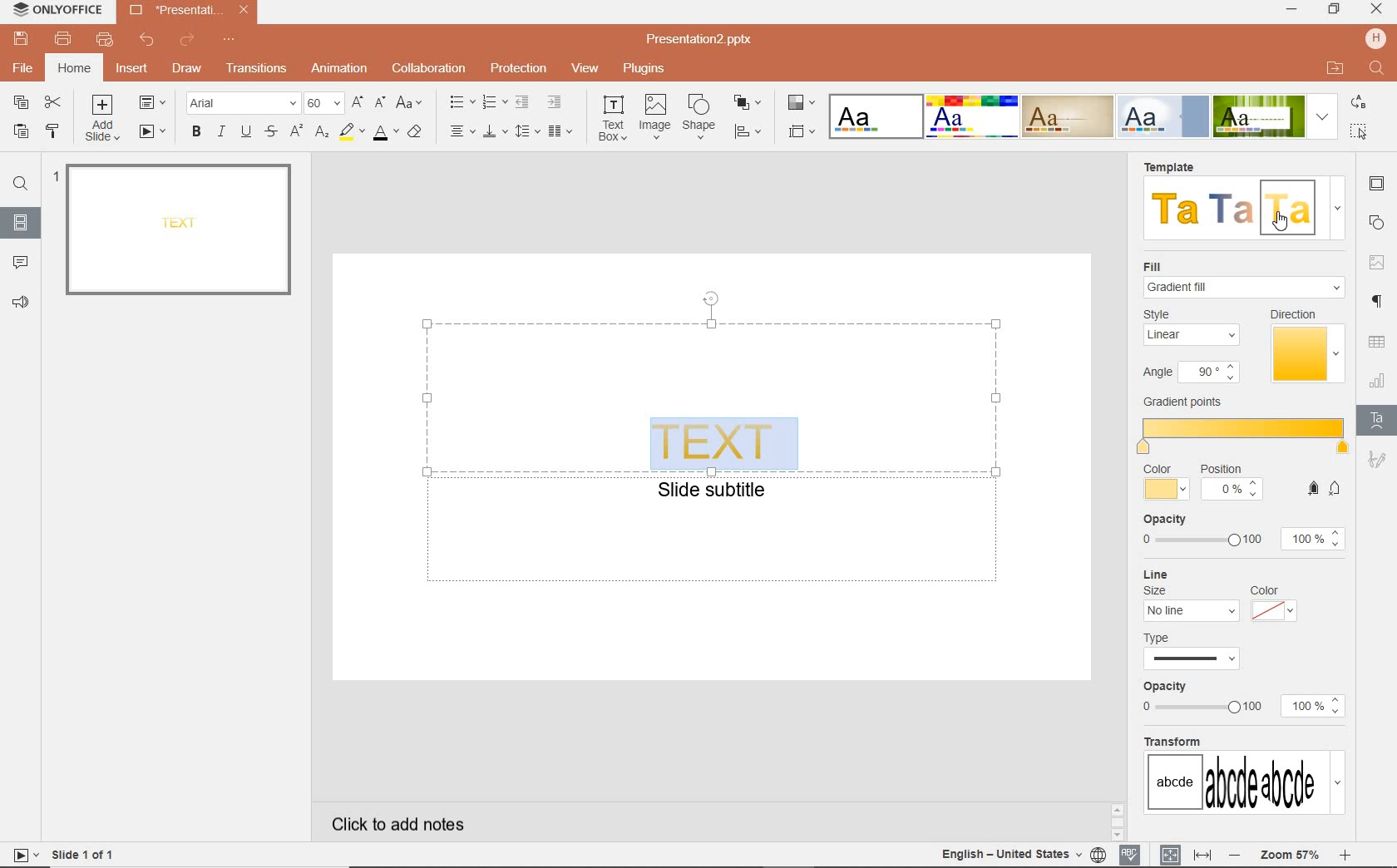  What do you see at coordinates (1167, 166) in the screenshot?
I see `template` at bounding box center [1167, 166].